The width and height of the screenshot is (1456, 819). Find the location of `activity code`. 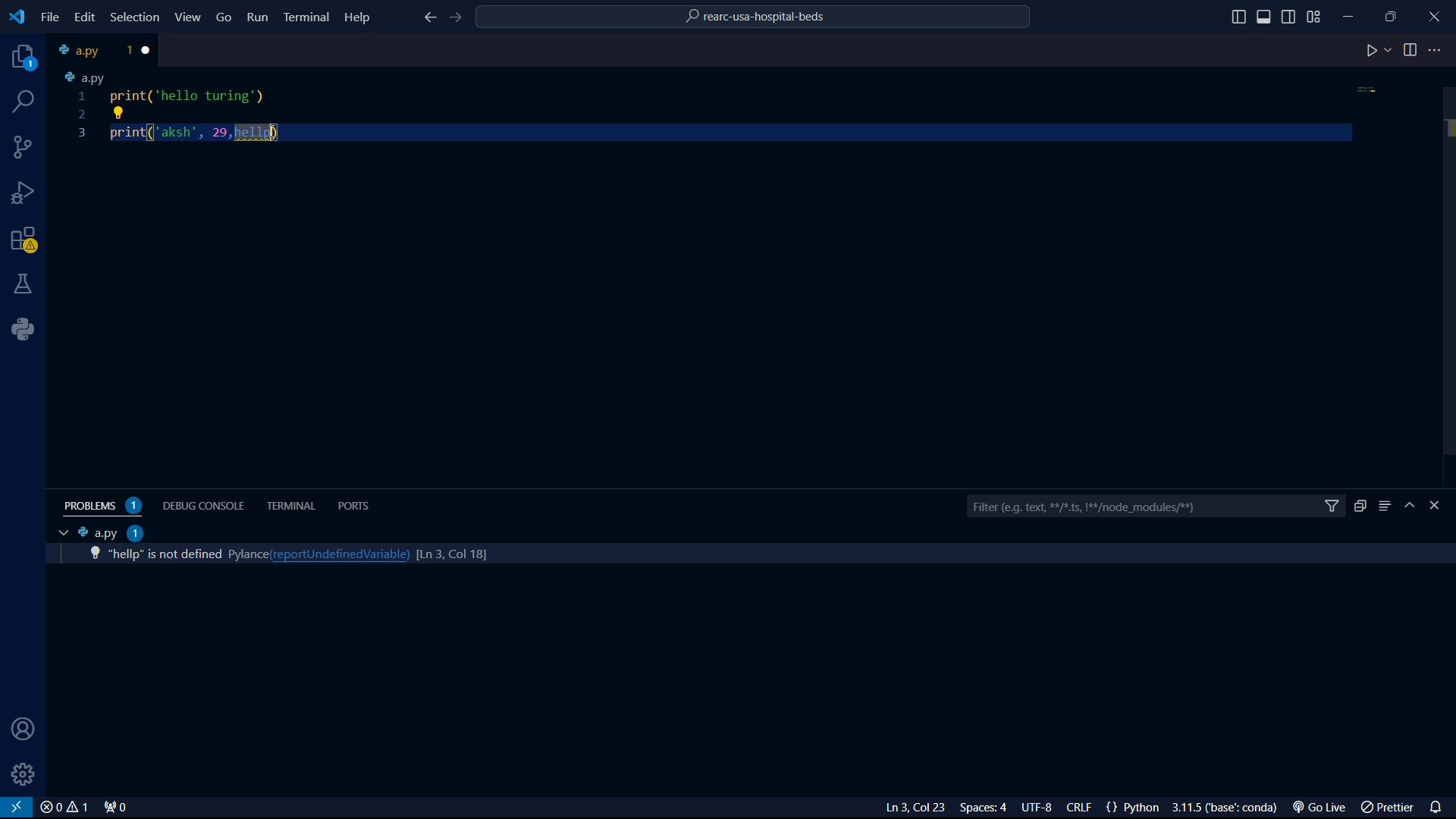

activity code is located at coordinates (162, 554).